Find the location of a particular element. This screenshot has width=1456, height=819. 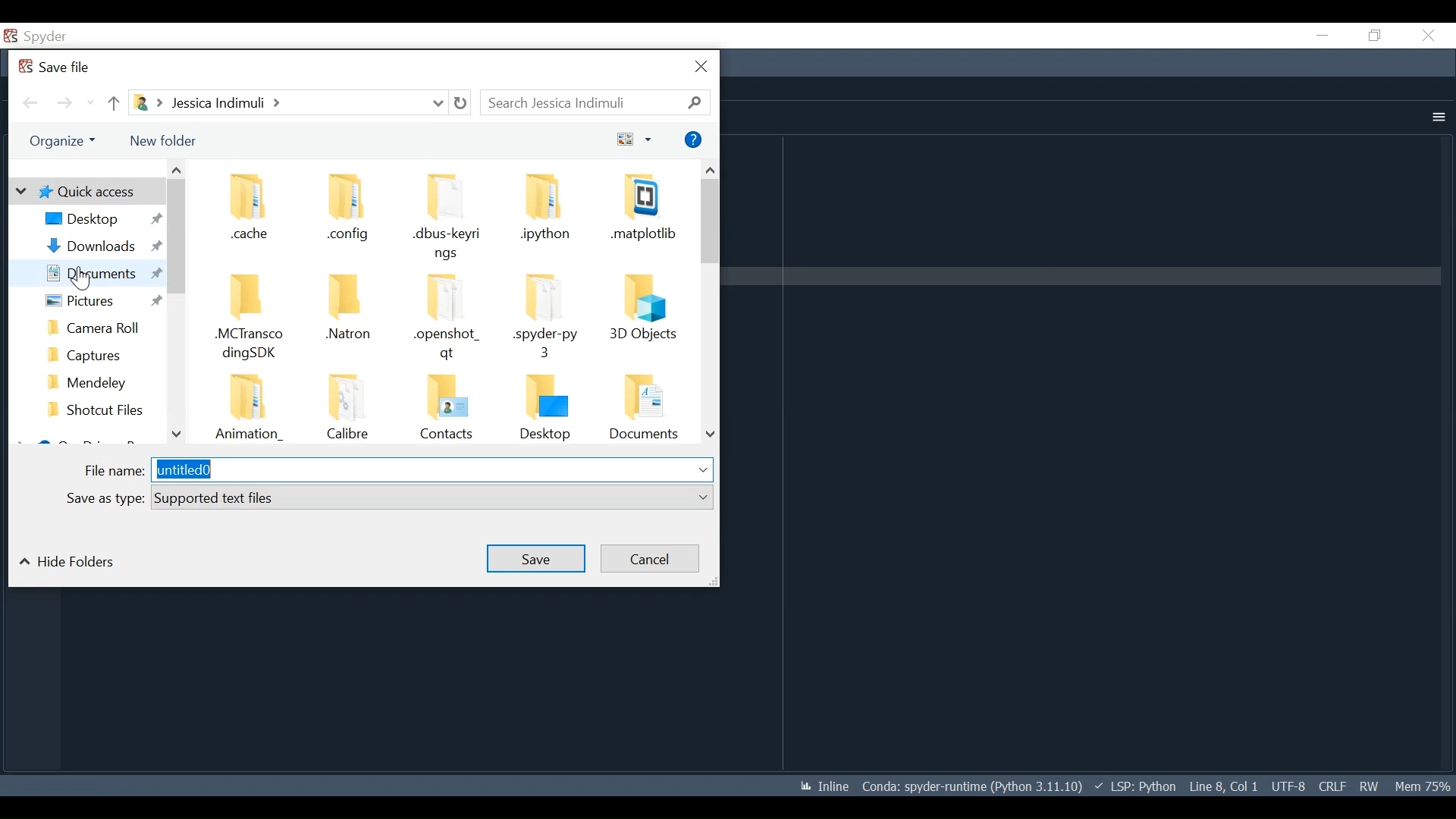

More Options is located at coordinates (1436, 118).